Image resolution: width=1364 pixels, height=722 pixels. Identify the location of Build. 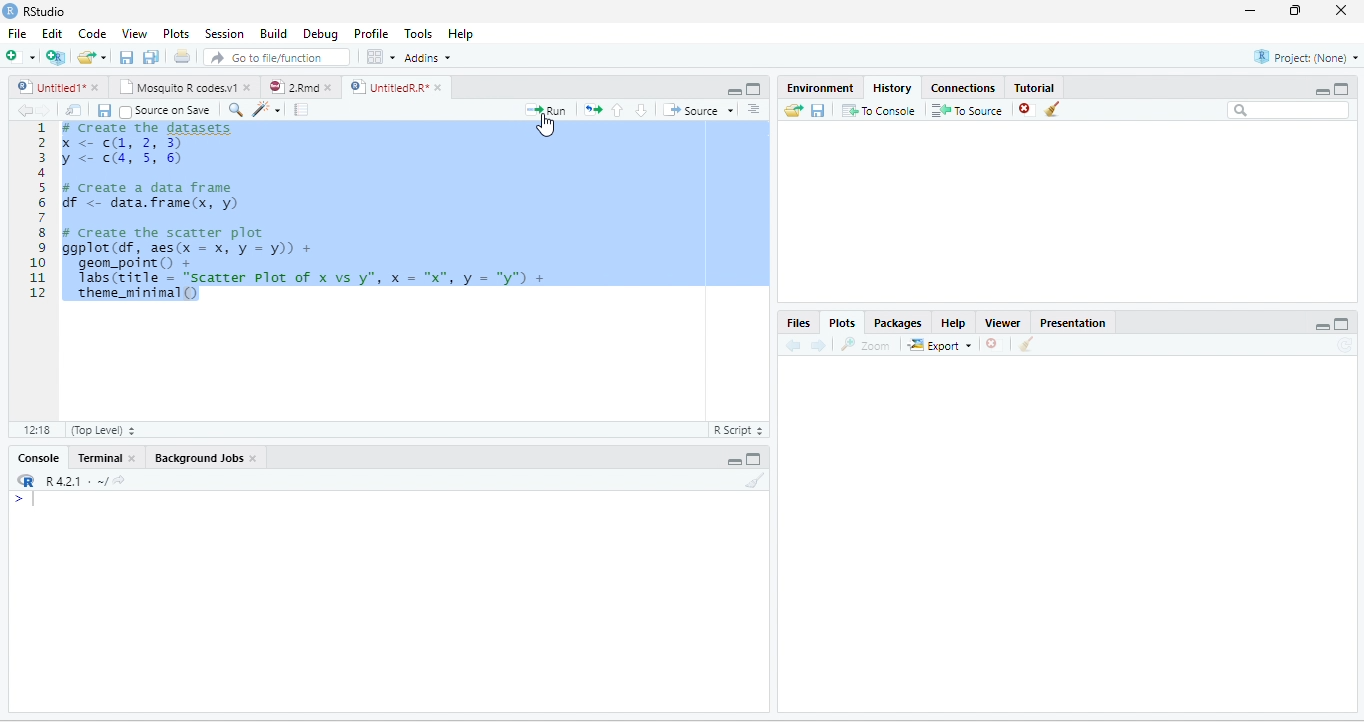
(272, 32).